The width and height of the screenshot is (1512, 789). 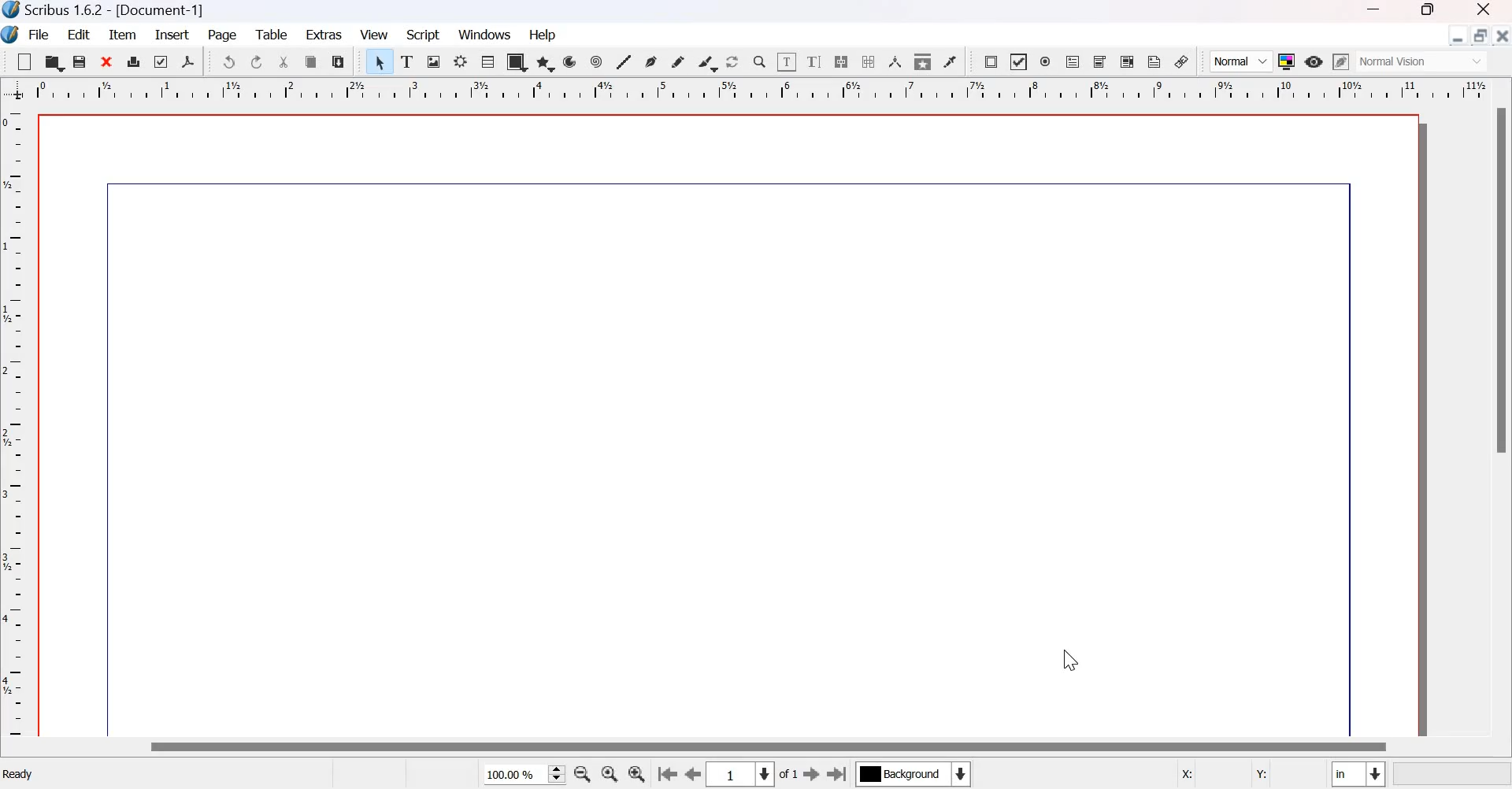 I want to click on preview mode, so click(x=1314, y=61).